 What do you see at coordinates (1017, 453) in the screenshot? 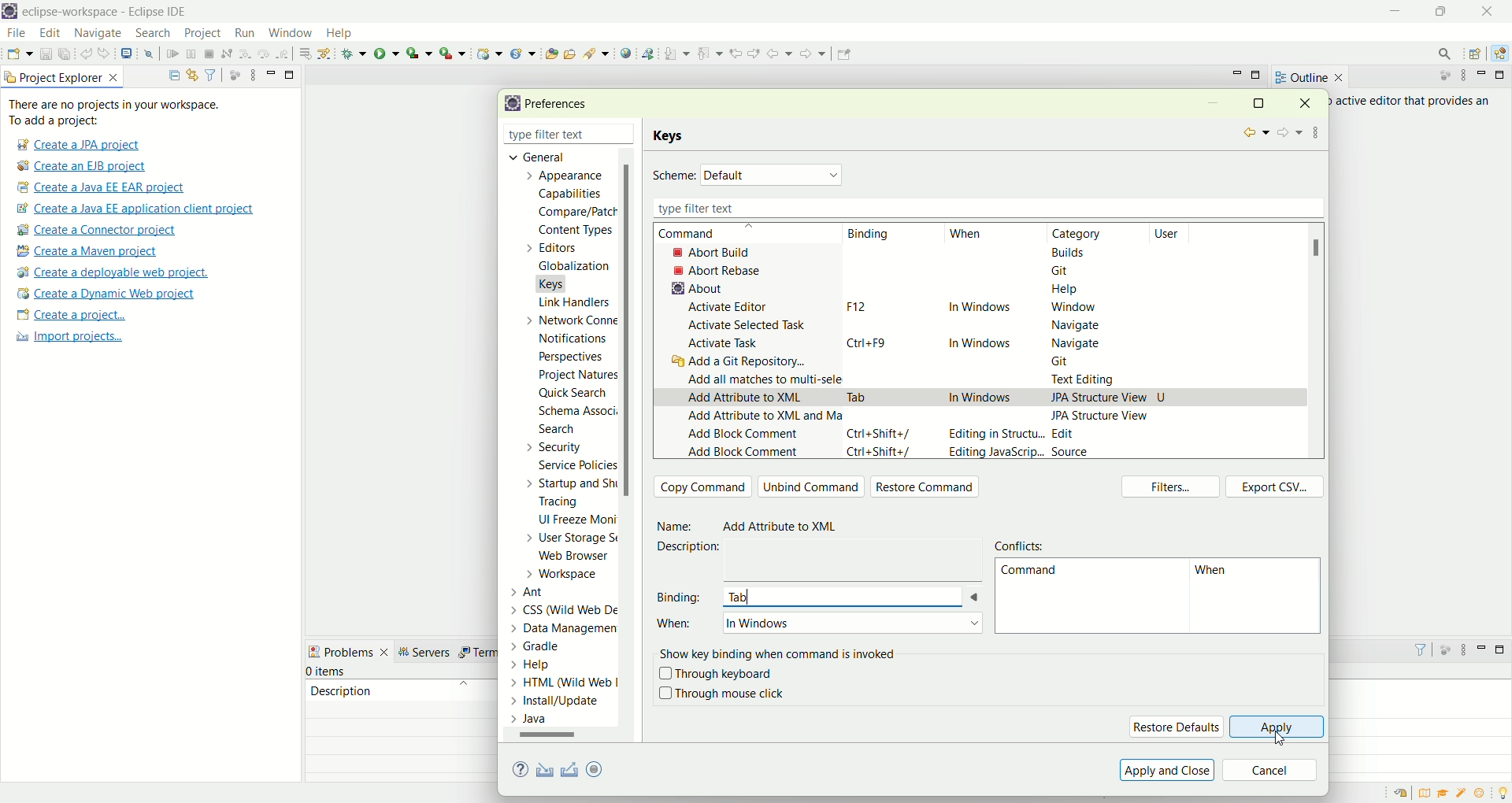
I see `editing javascript...Source` at bounding box center [1017, 453].